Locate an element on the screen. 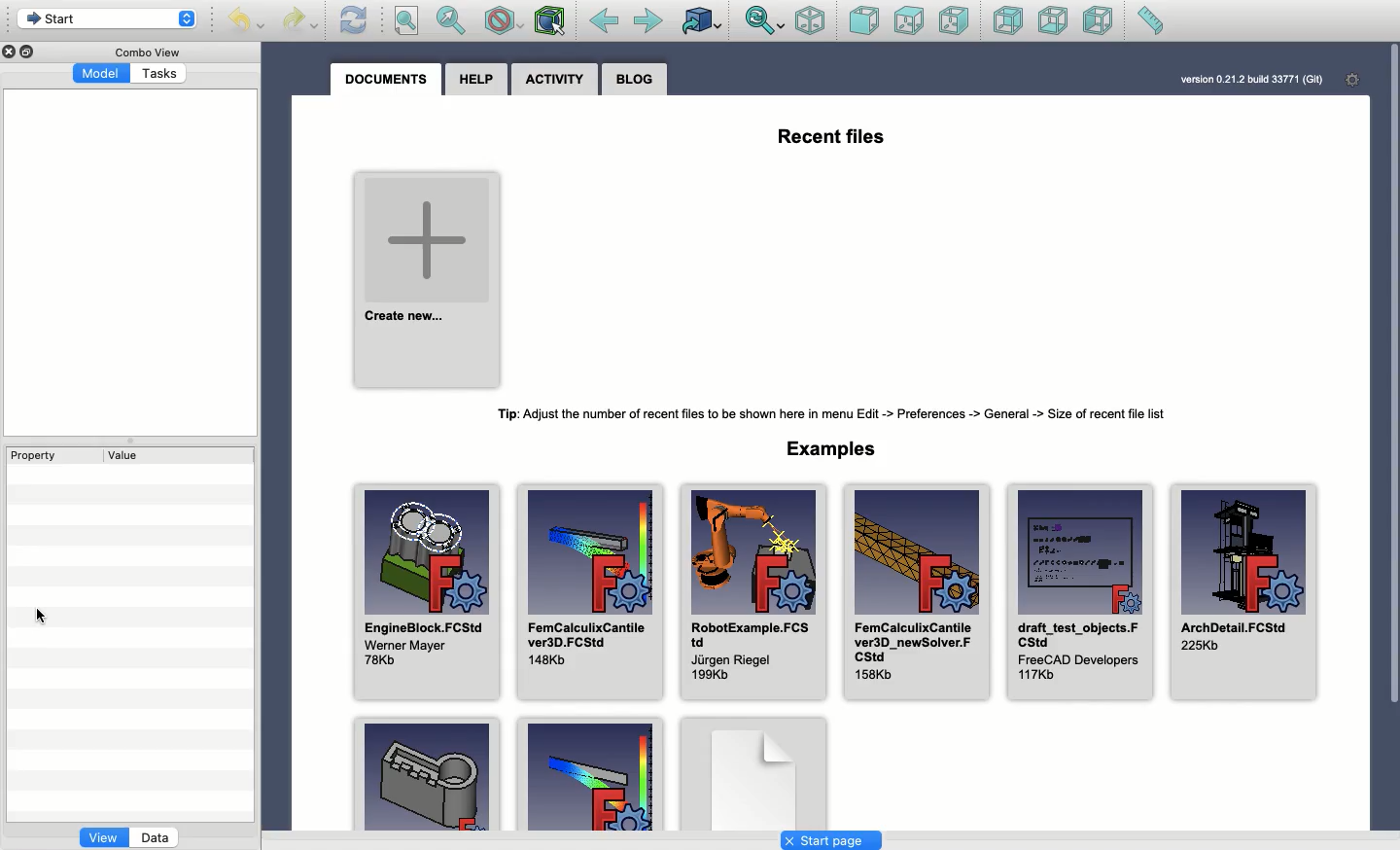 This screenshot has height=850, width=1400. Combo view is located at coordinates (145, 53).